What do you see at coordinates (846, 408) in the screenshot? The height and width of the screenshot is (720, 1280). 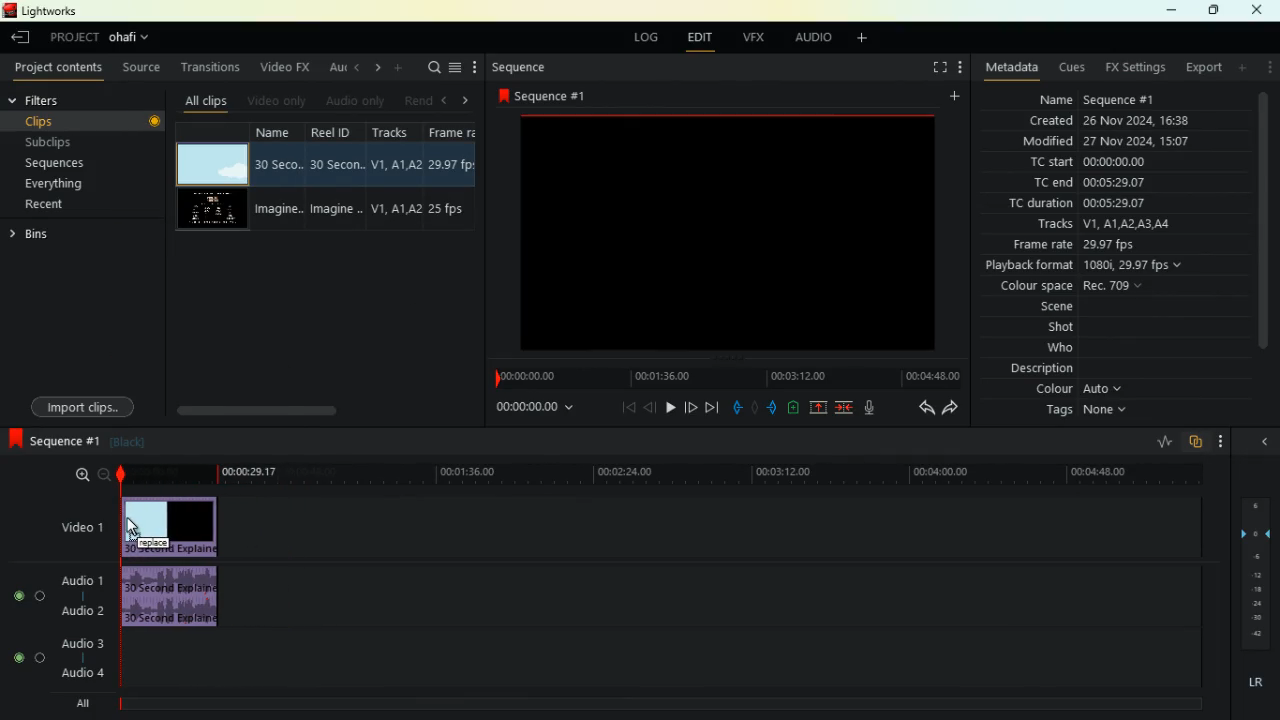 I see `merge` at bounding box center [846, 408].